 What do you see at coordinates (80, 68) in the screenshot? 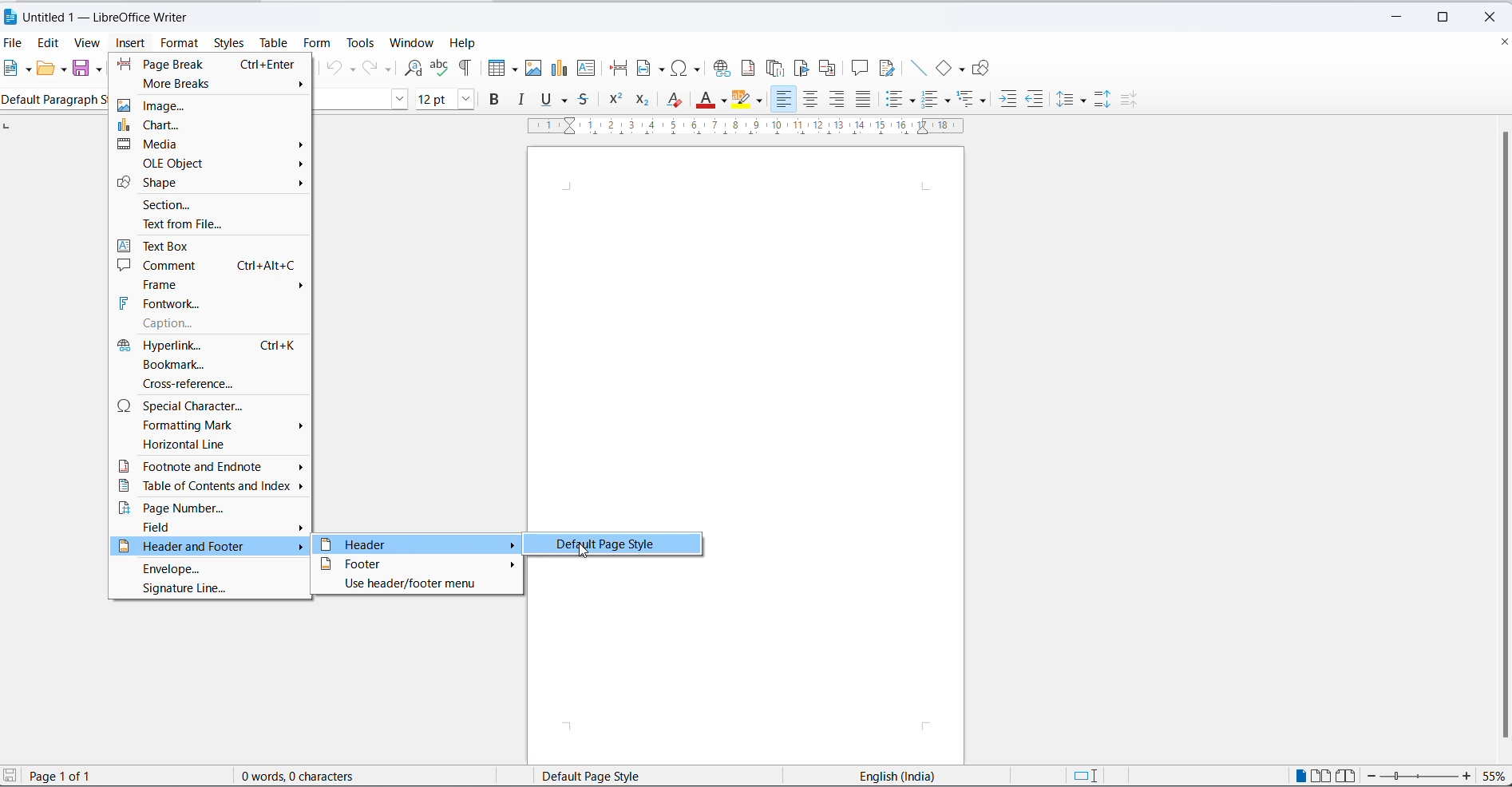
I see `save` at bounding box center [80, 68].